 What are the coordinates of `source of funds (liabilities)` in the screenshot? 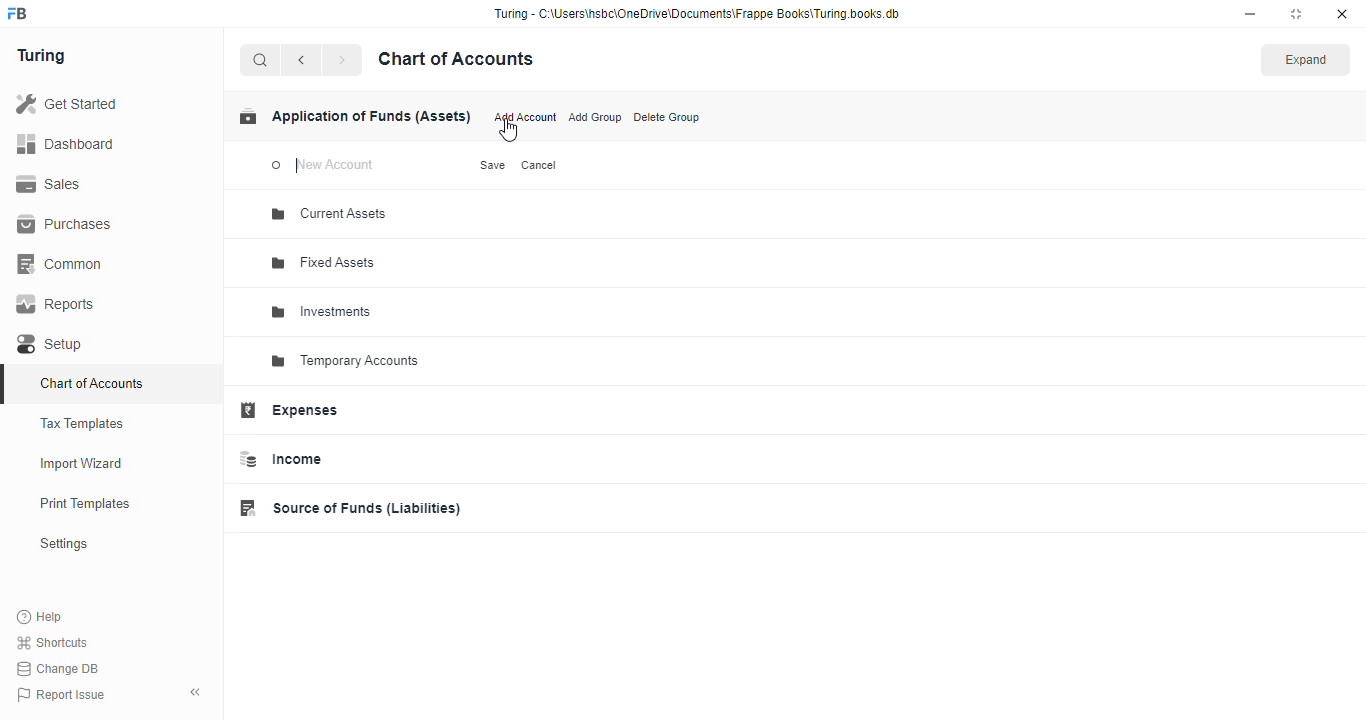 It's located at (349, 508).